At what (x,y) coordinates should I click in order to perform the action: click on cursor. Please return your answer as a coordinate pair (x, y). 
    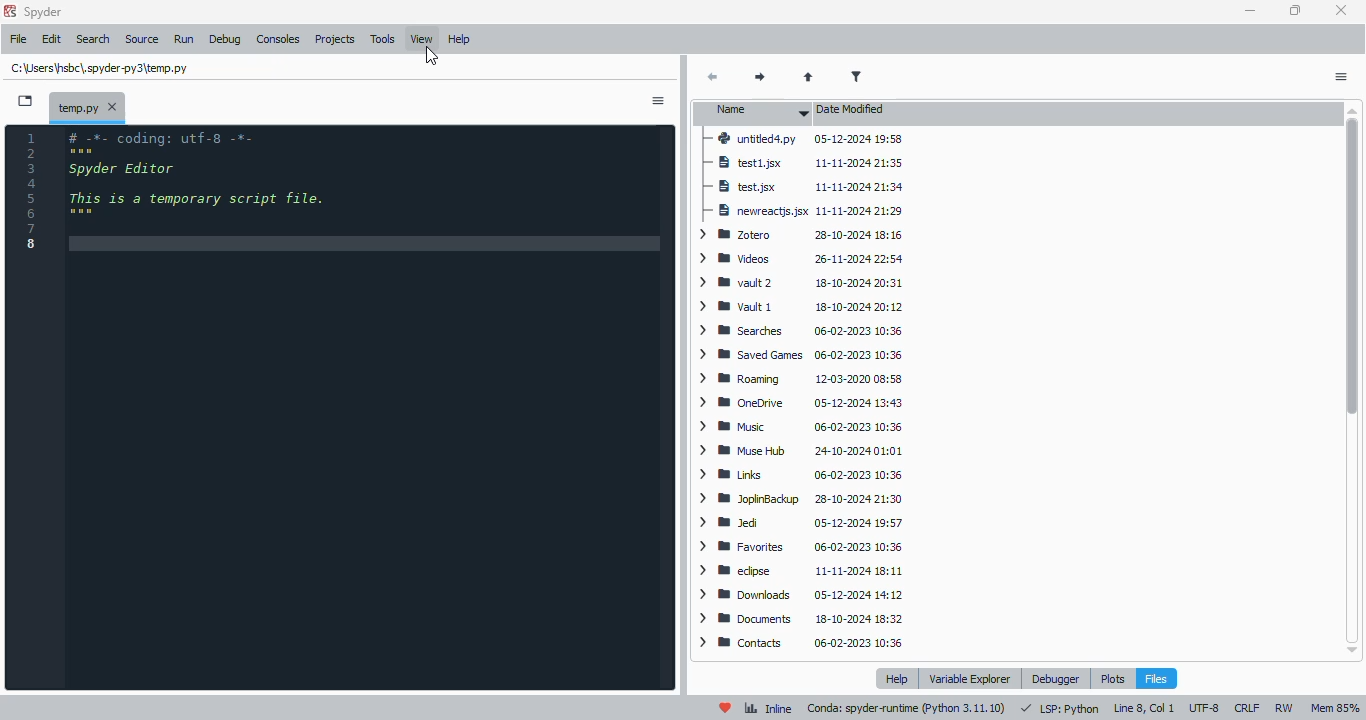
    Looking at the image, I should click on (431, 55).